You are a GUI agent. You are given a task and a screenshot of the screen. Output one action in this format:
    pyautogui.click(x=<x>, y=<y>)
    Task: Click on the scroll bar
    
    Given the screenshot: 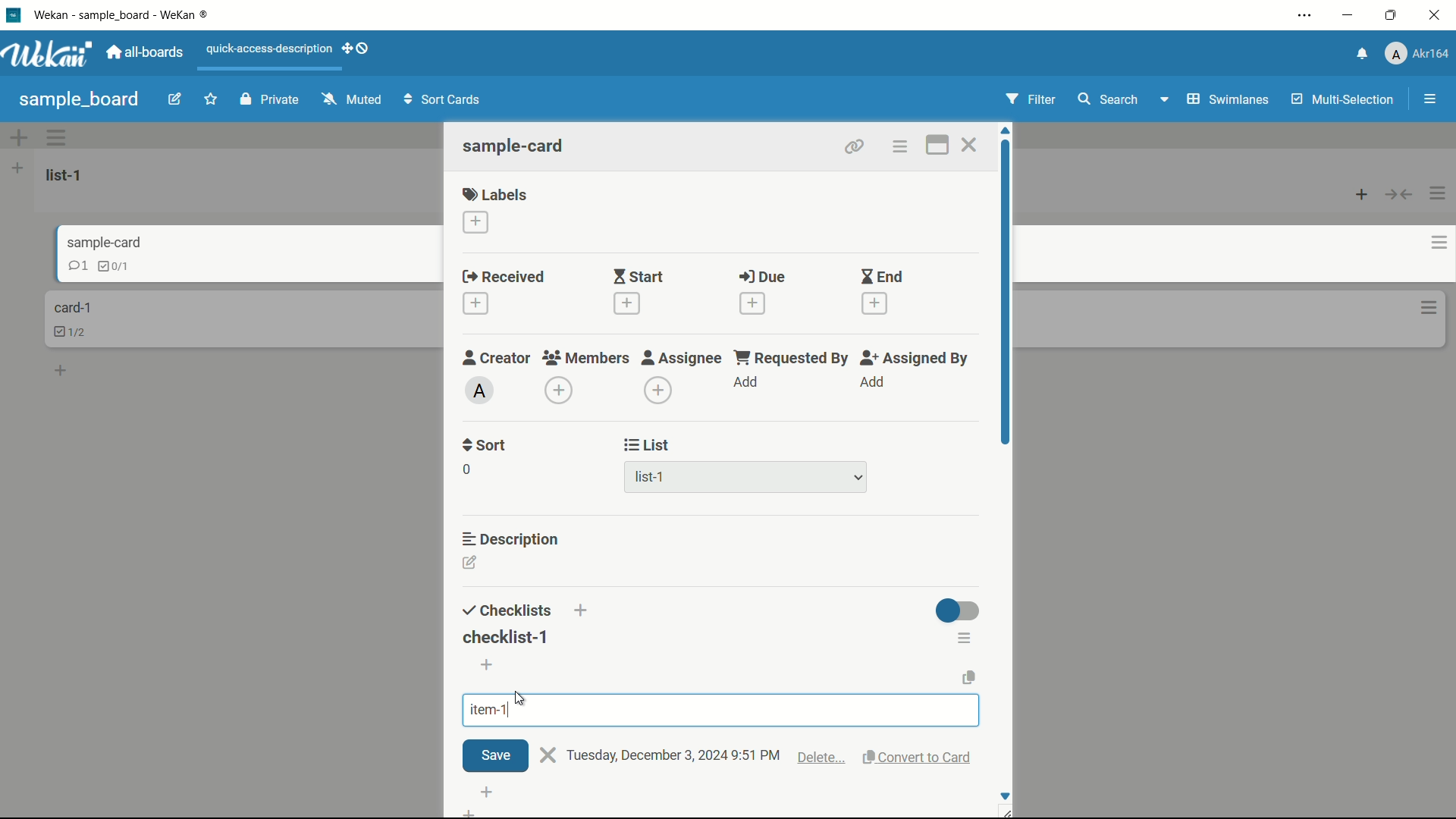 What is the action you would take?
    pyautogui.click(x=1007, y=302)
    